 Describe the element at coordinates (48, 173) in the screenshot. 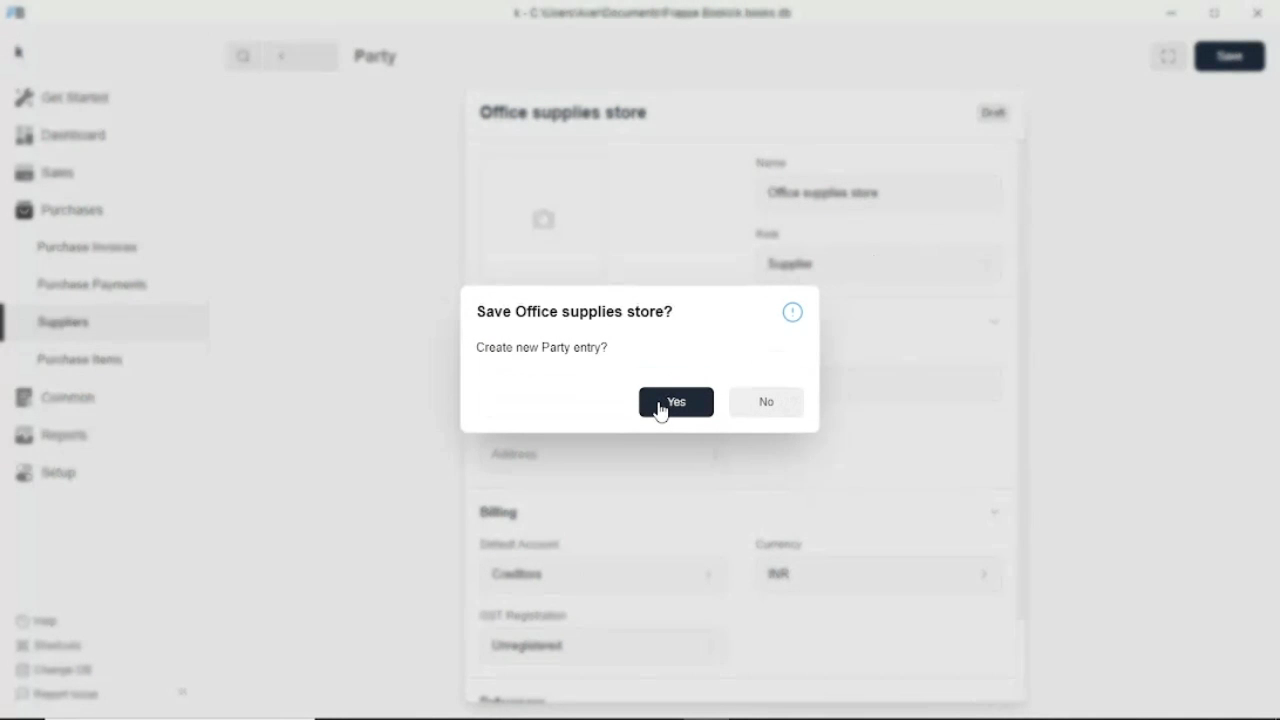

I see `Sales` at that location.